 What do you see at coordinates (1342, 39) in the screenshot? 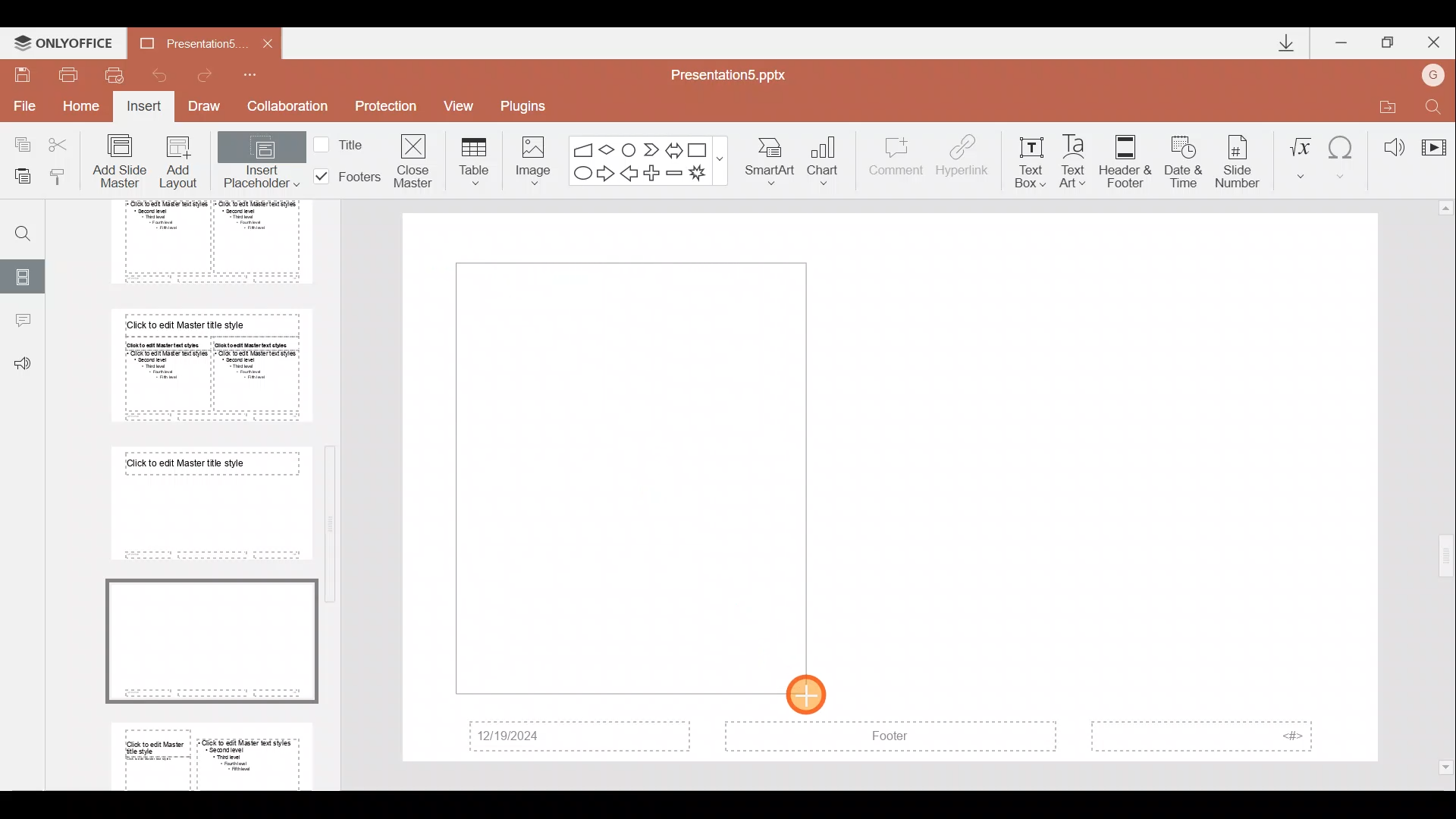
I see `Minimize` at bounding box center [1342, 39].